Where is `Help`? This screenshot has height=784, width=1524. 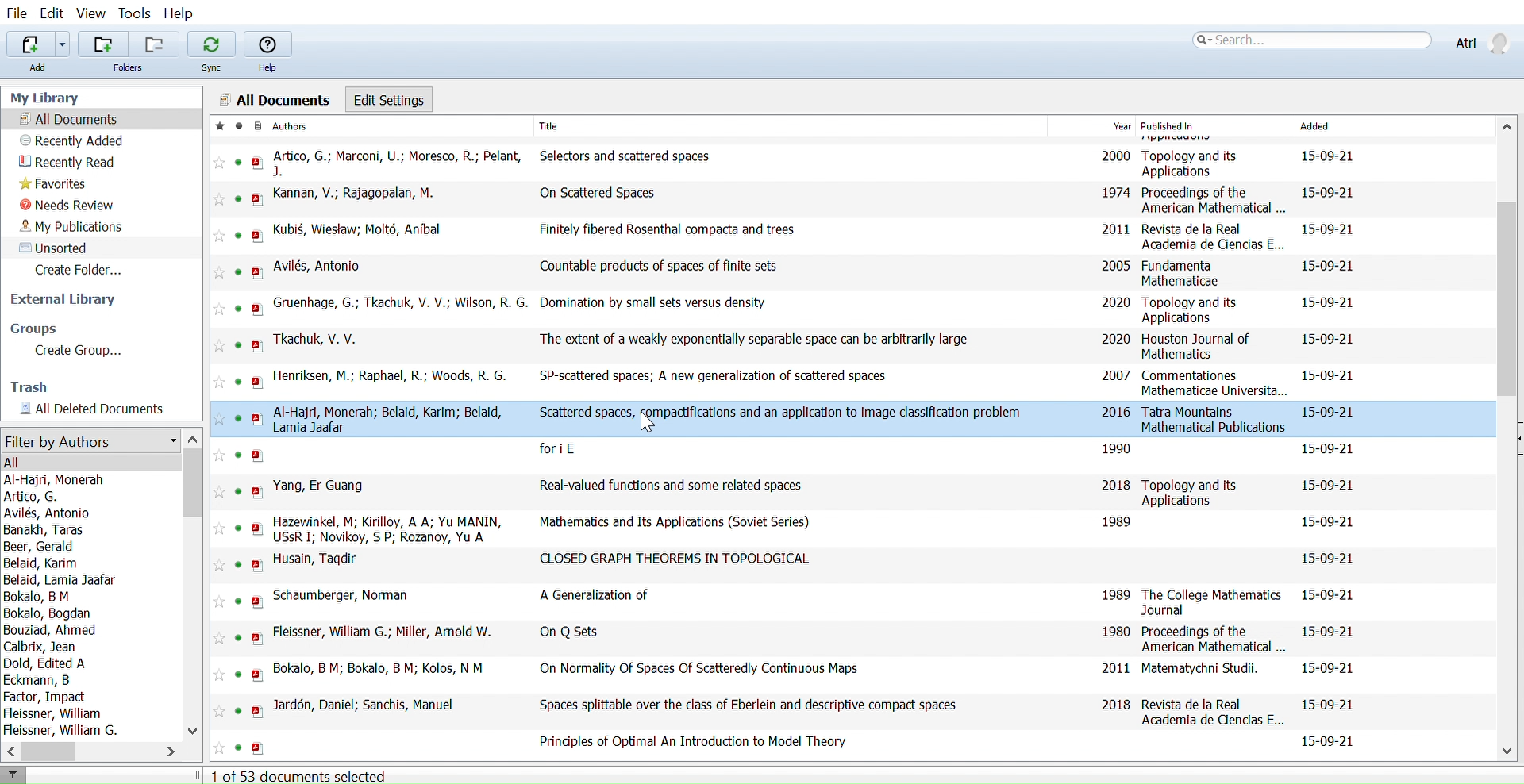
Help is located at coordinates (267, 53).